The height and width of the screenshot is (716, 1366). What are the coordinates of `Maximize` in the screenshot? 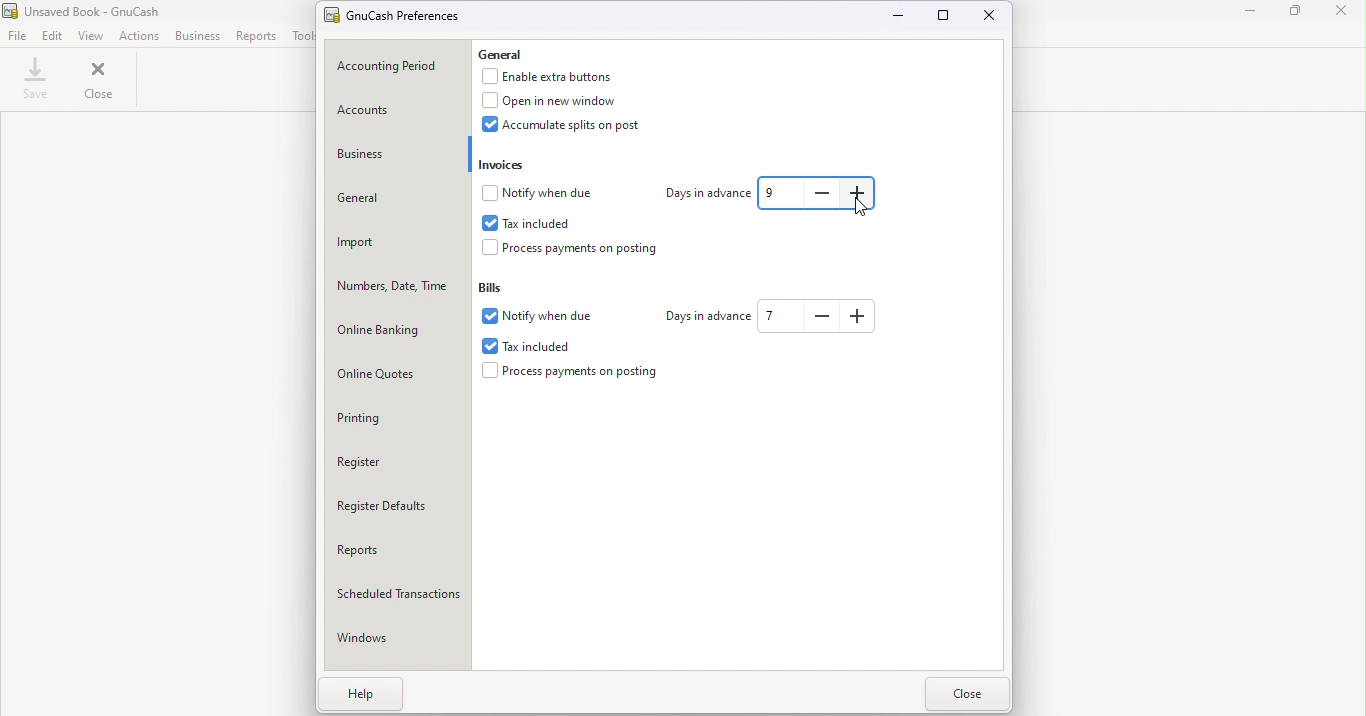 It's located at (945, 15).